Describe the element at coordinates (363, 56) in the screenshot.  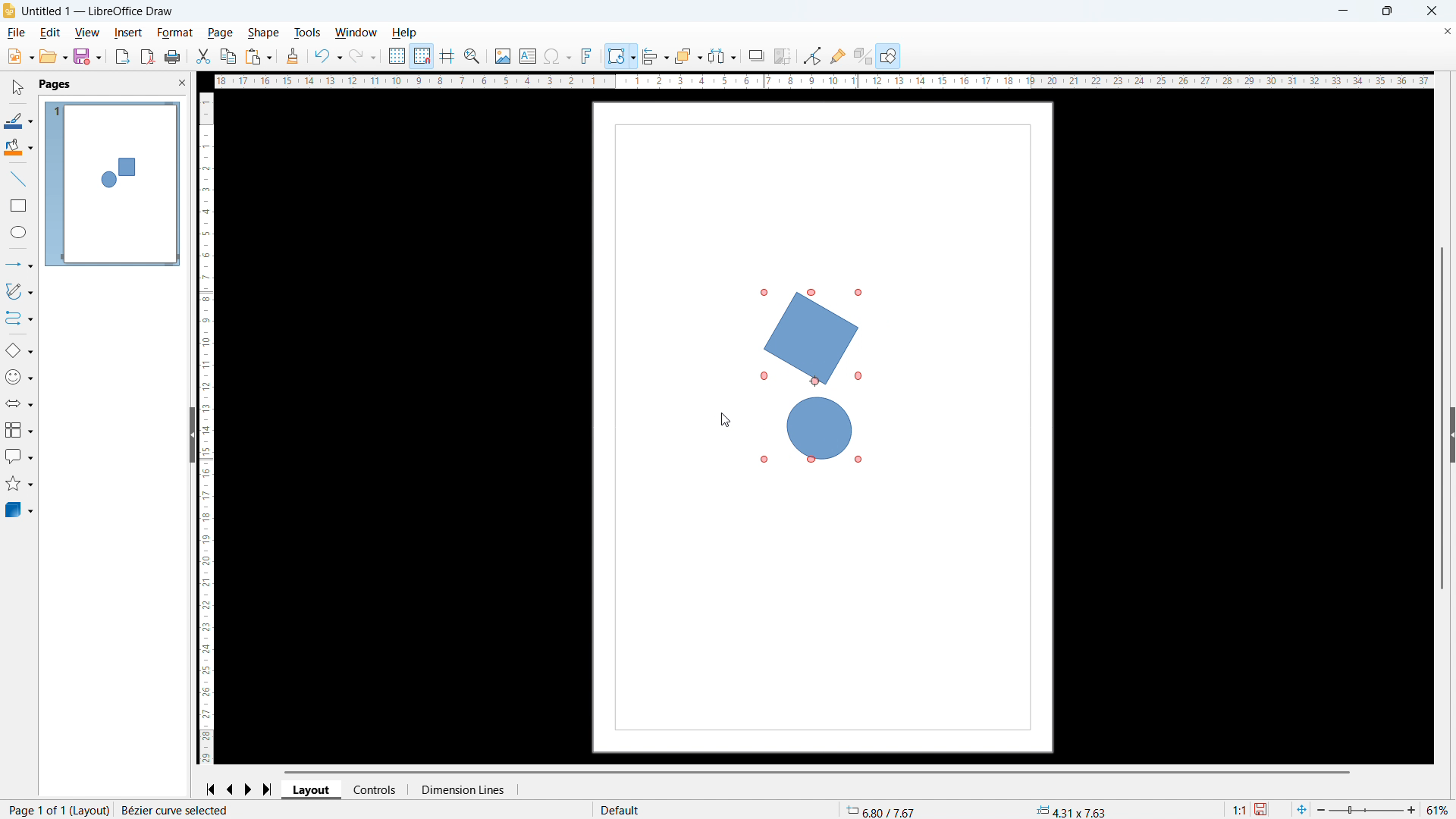
I see `redo ` at that location.